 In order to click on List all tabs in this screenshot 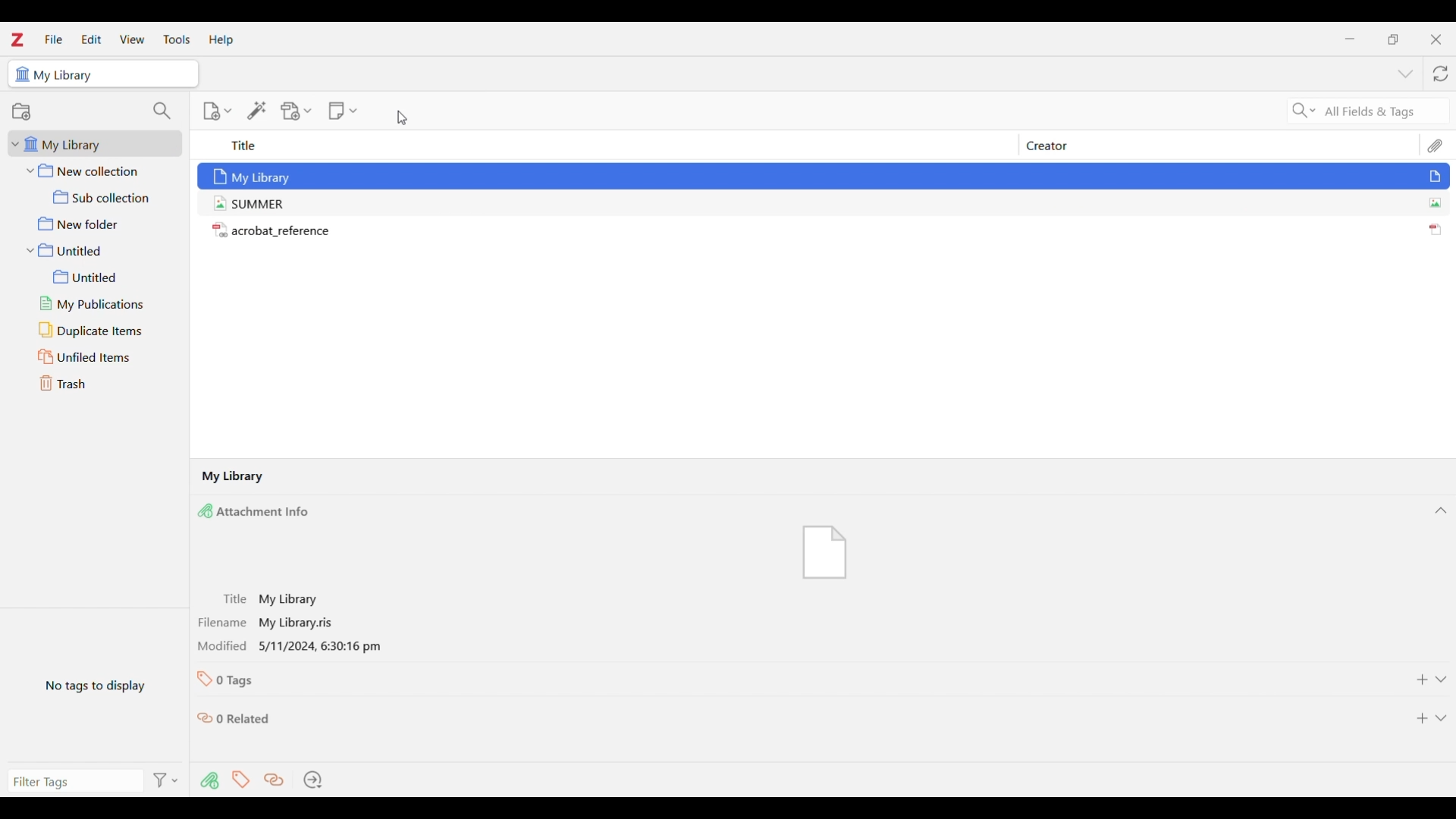, I will do `click(1405, 74)`.